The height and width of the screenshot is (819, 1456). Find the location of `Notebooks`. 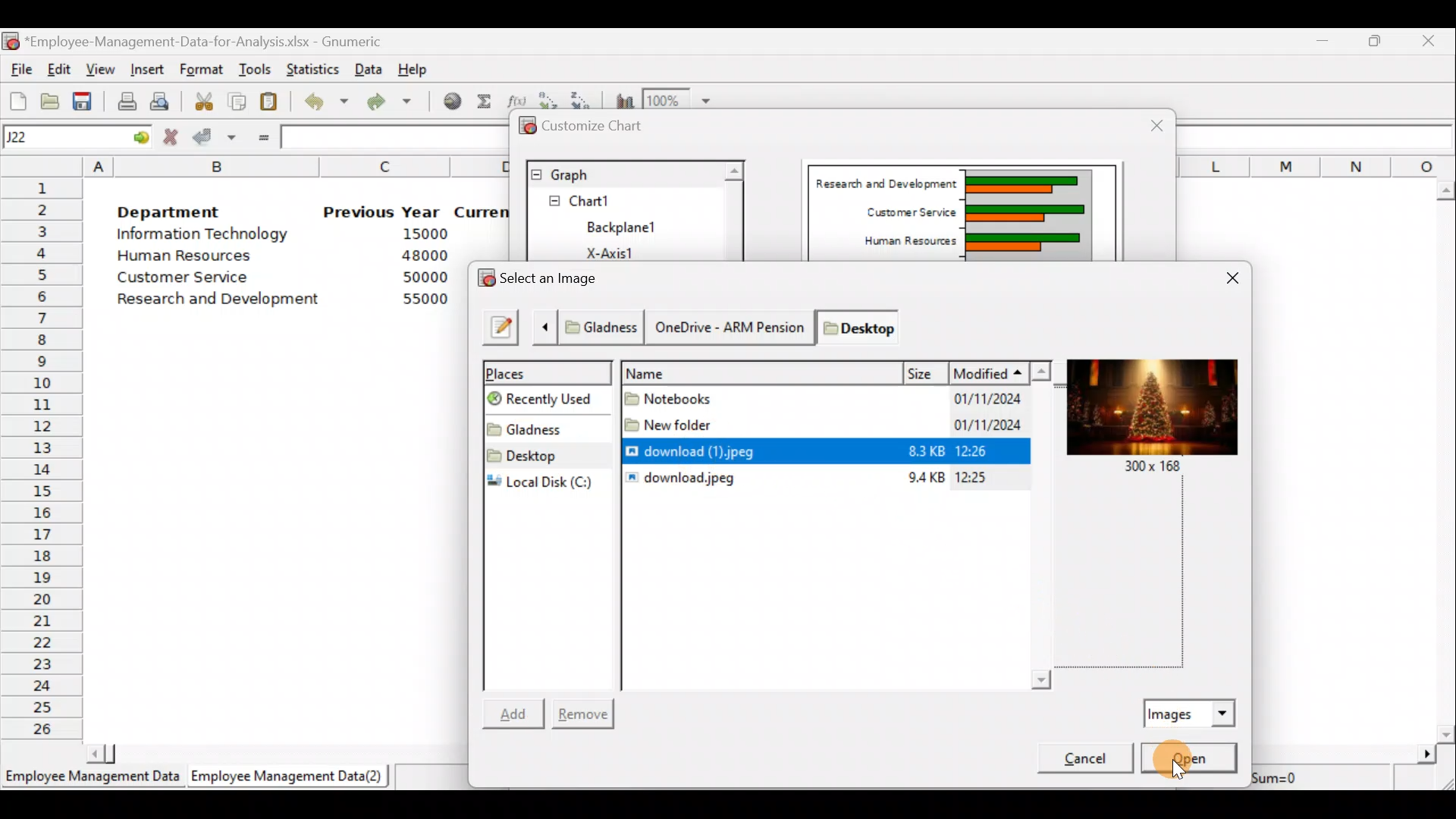

Notebooks is located at coordinates (675, 397).